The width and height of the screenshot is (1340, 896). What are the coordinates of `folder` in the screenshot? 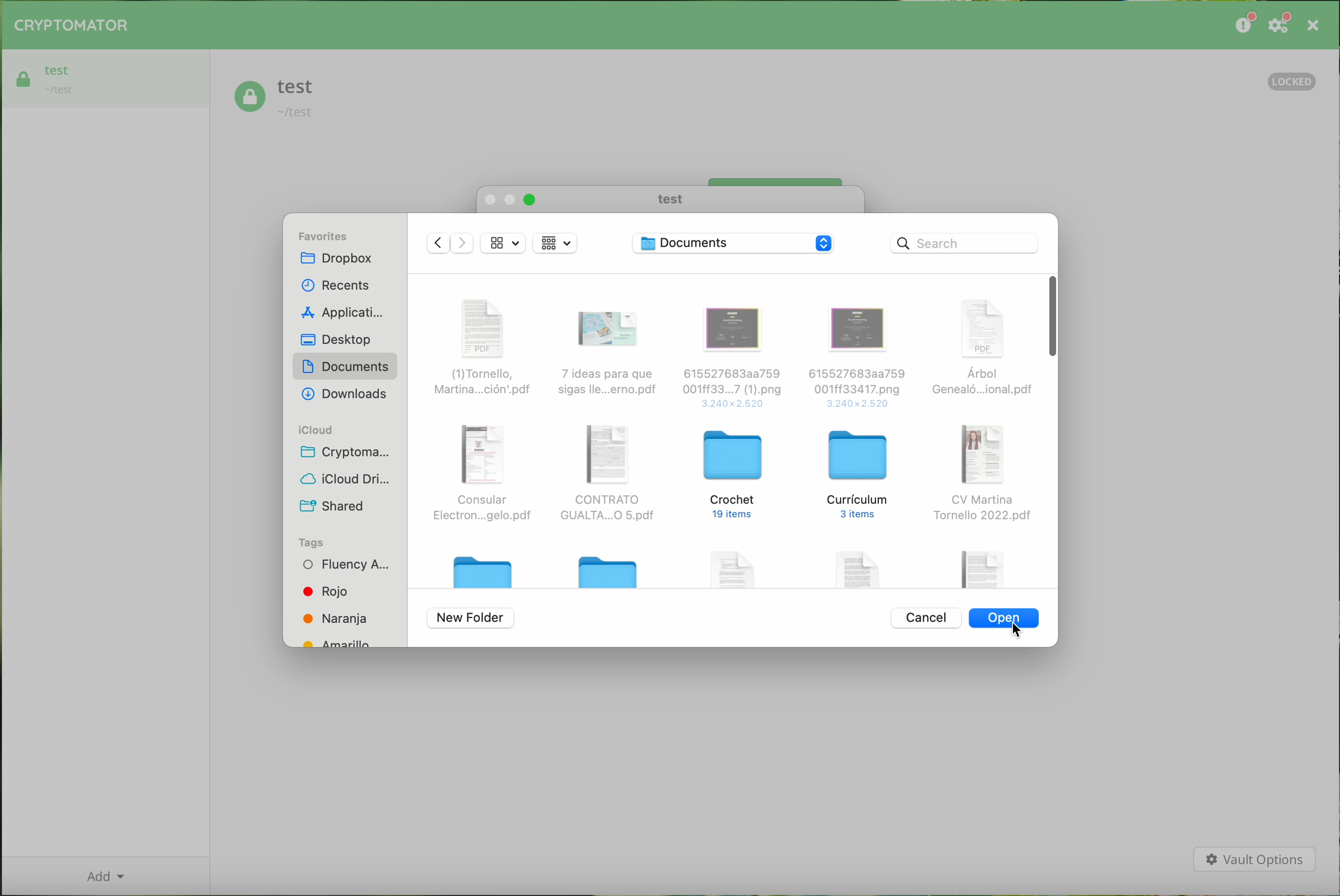 It's located at (611, 570).